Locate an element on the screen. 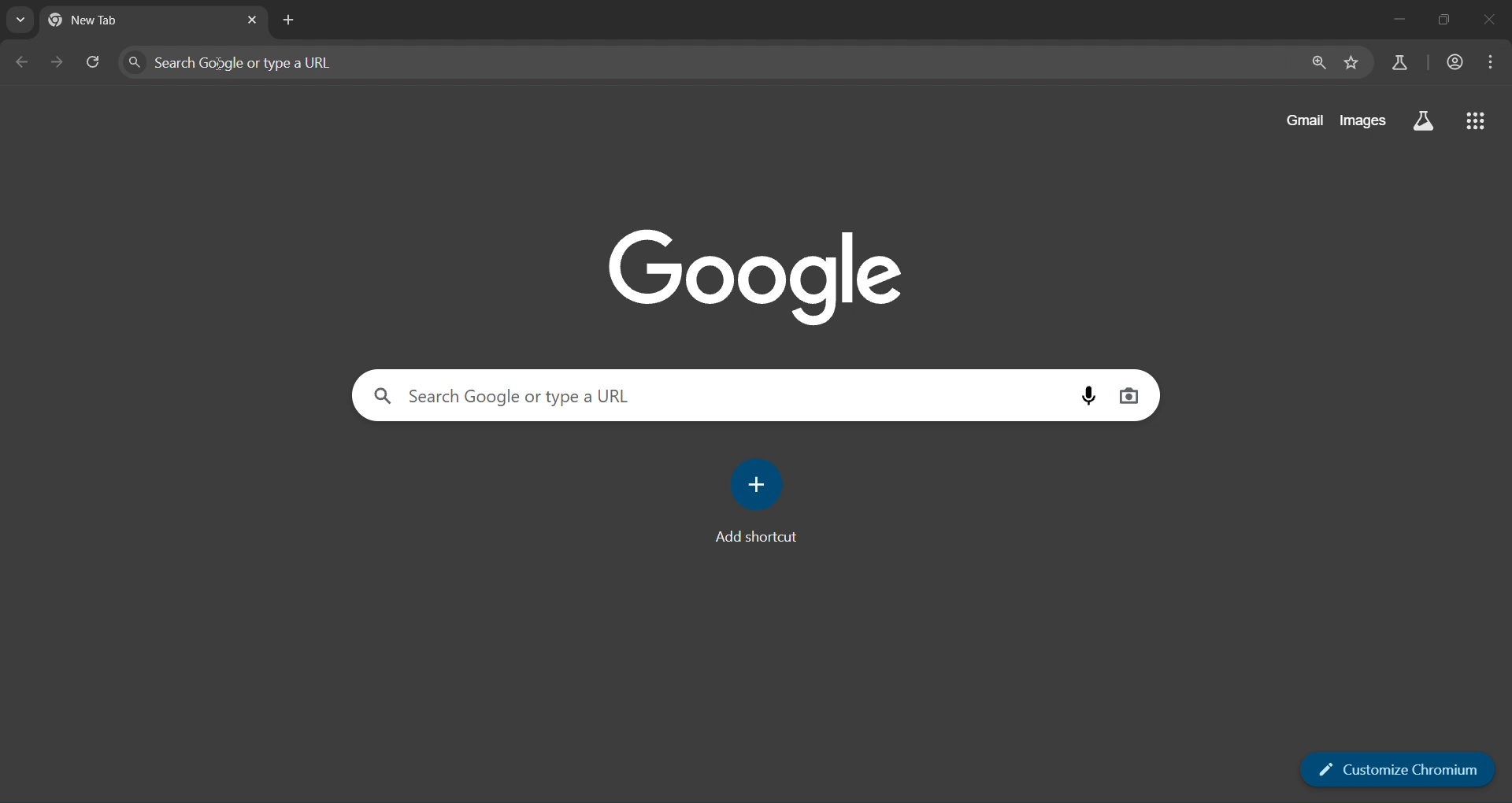  images is located at coordinates (1363, 120).